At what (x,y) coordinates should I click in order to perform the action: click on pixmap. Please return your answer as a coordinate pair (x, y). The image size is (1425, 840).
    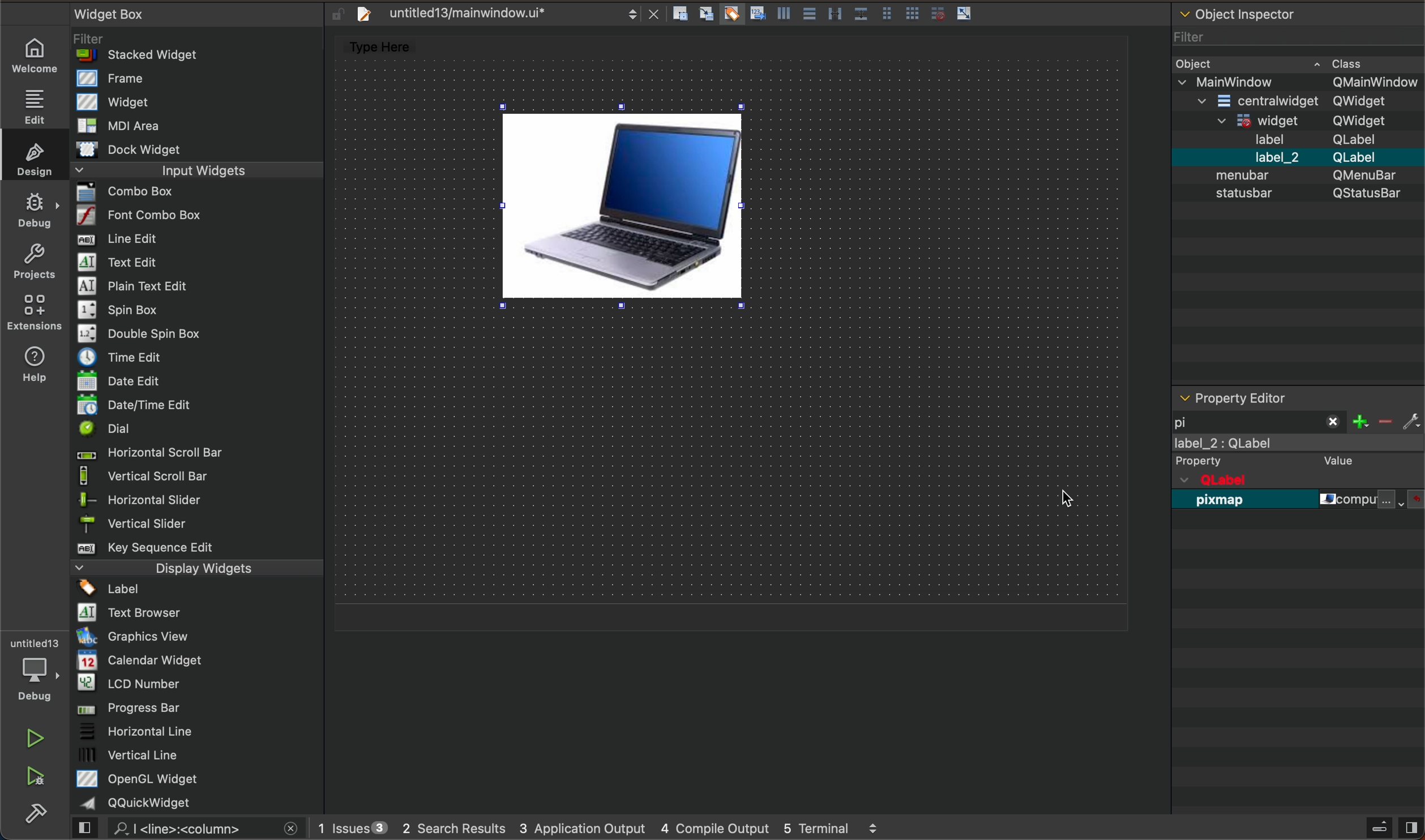
    Looking at the image, I should click on (1223, 506).